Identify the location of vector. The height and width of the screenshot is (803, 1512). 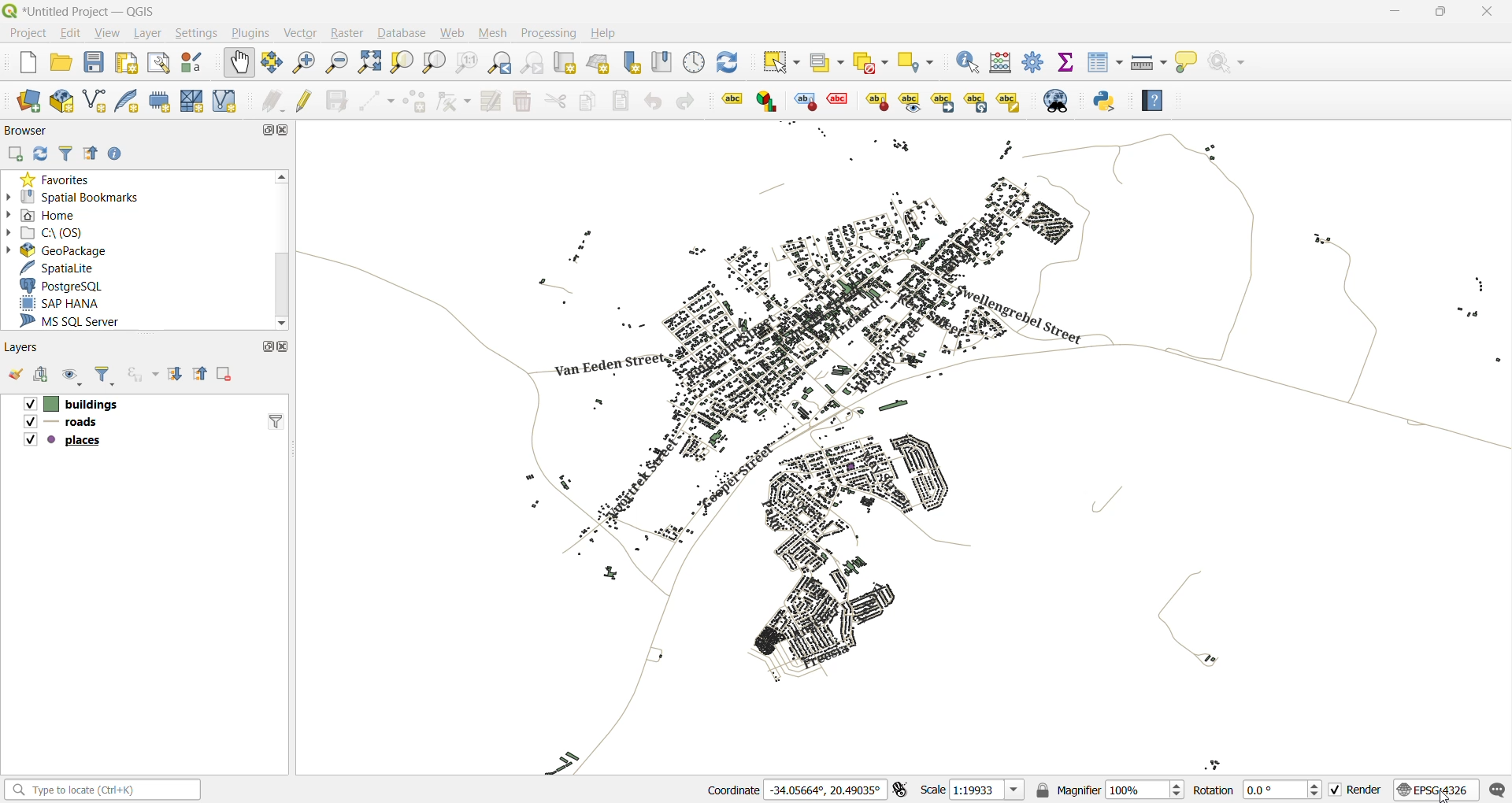
(302, 33).